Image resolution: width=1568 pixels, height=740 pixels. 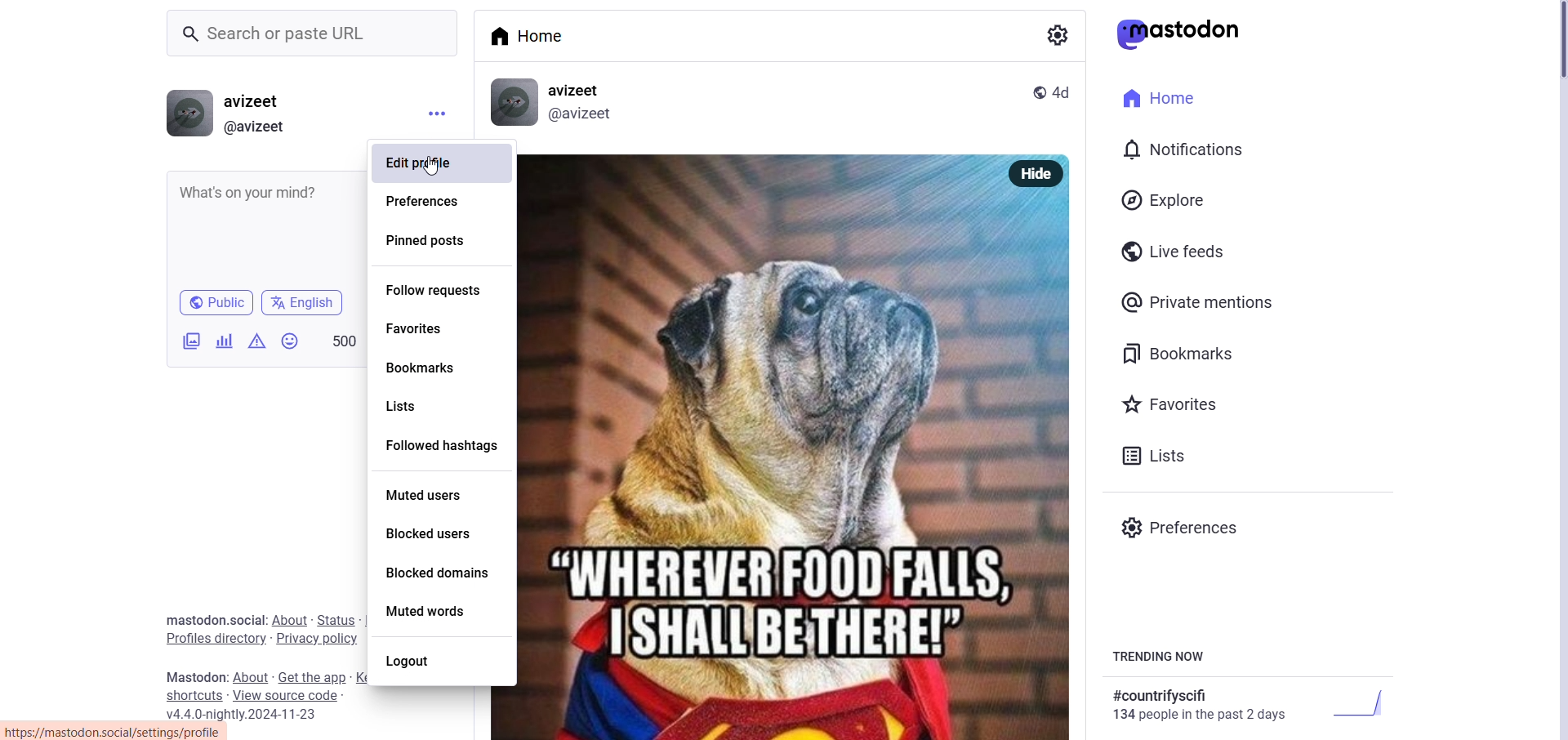 I want to click on about, so click(x=251, y=676).